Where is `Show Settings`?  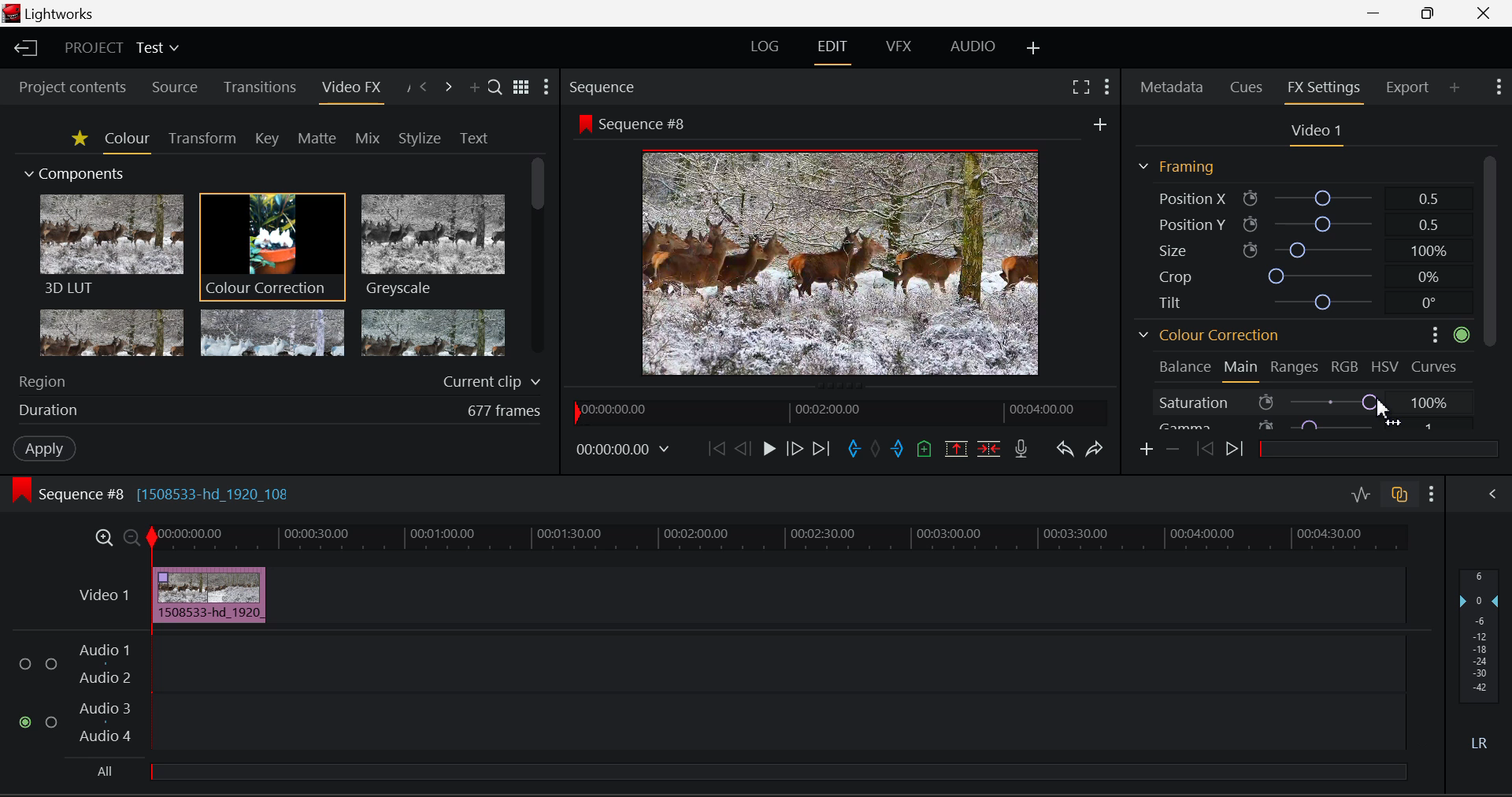
Show Settings is located at coordinates (547, 87).